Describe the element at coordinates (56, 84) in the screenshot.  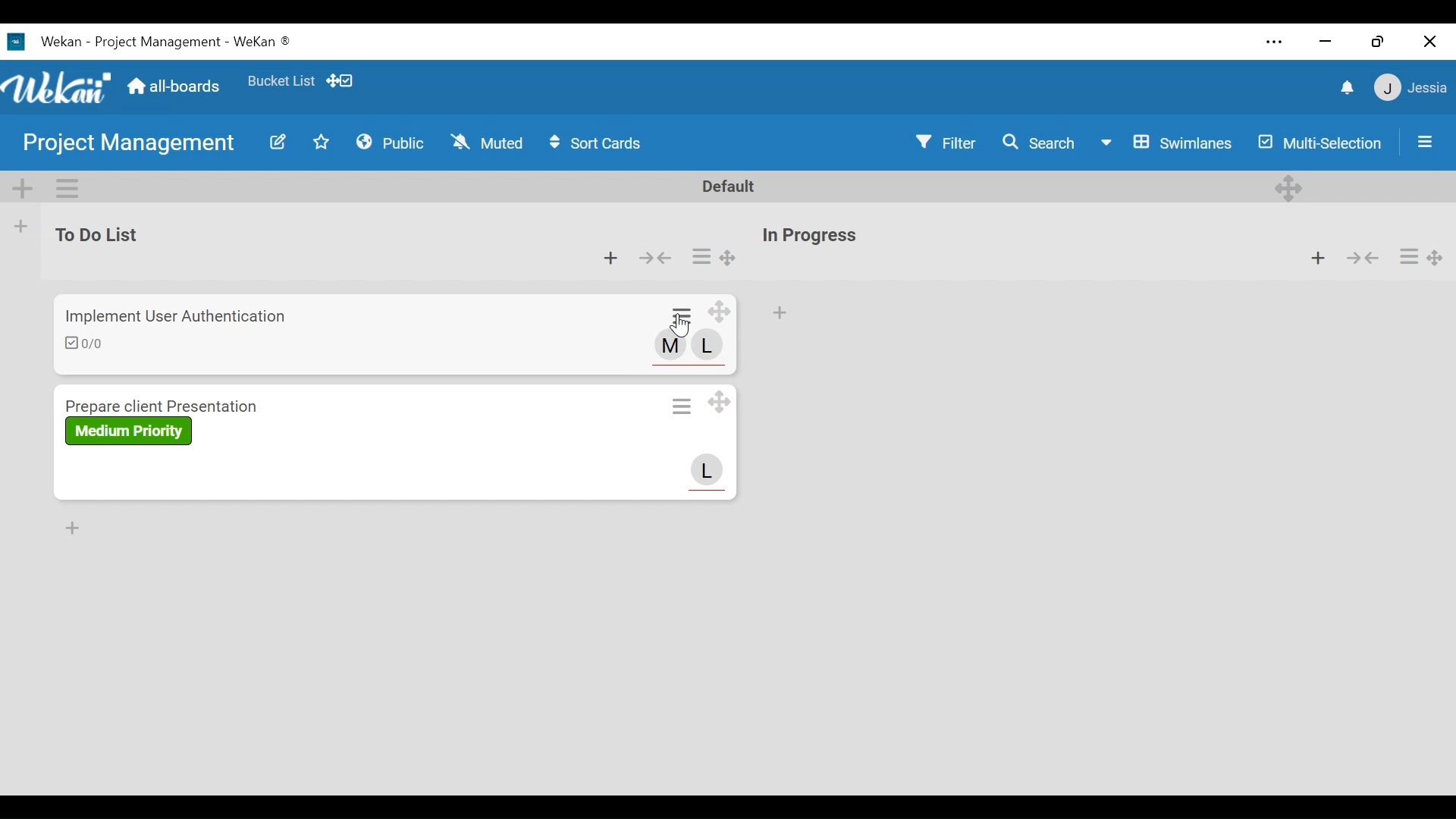
I see `Wekan Logo` at that location.